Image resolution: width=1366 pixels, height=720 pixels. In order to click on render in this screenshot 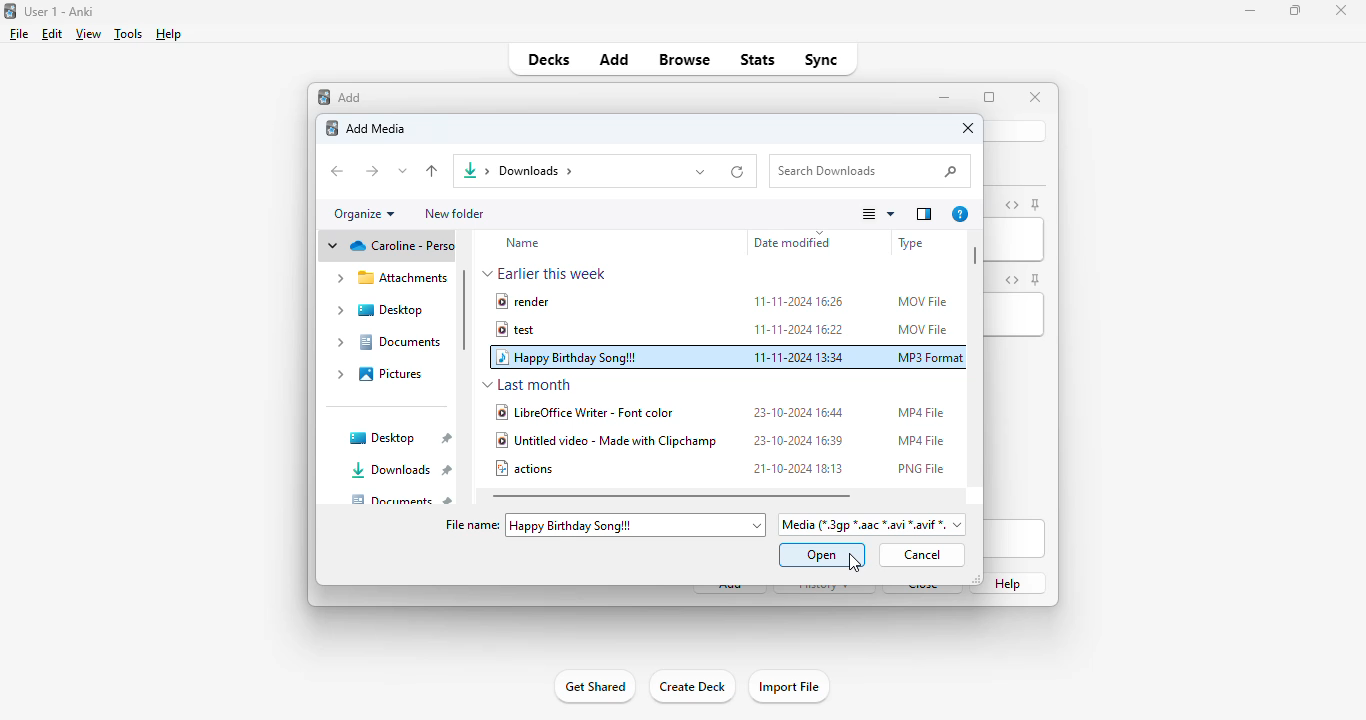, I will do `click(522, 301)`.